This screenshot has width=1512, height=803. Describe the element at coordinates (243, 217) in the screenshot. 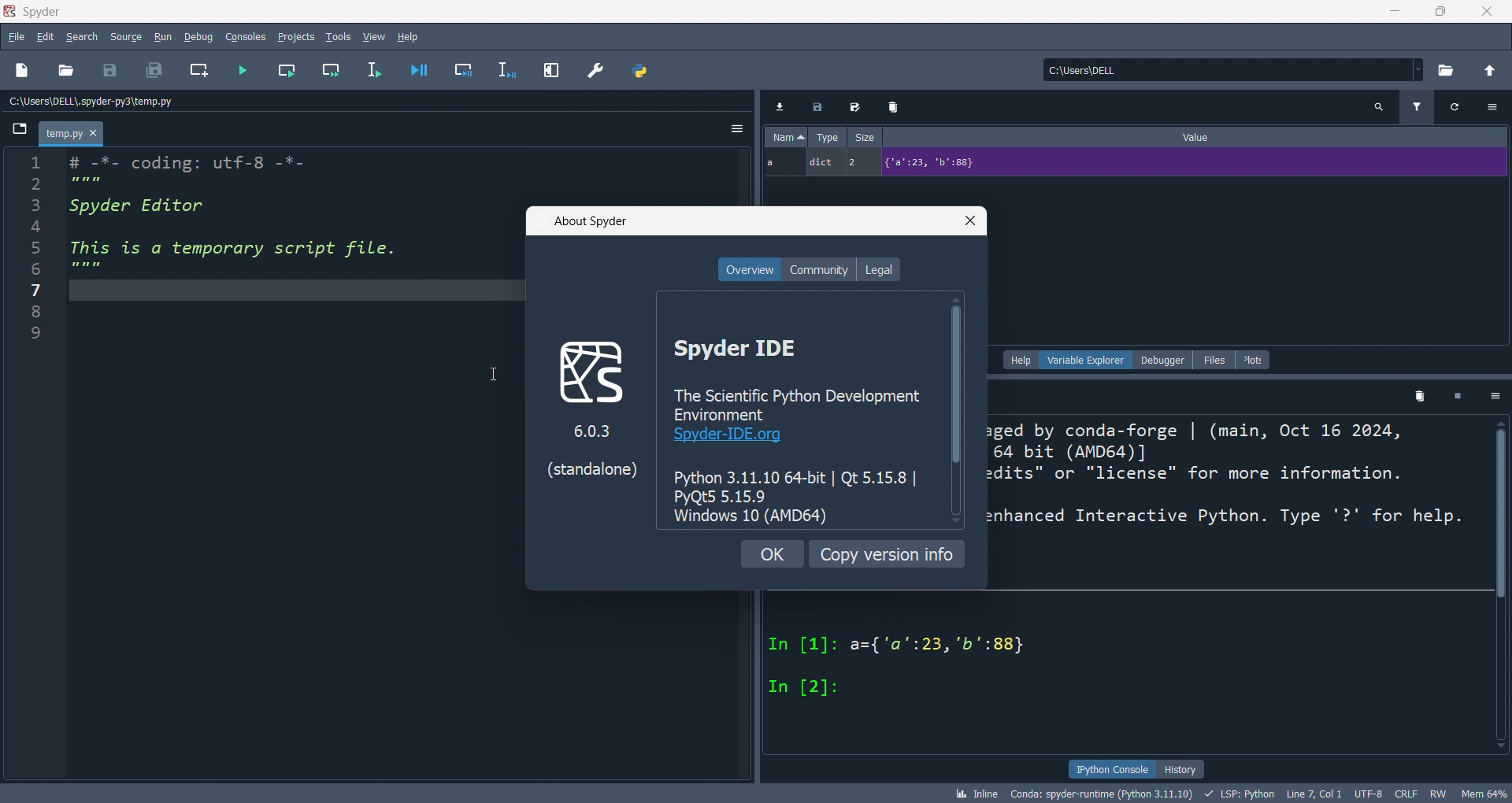

I see `coding: utf-8 -*-Spyder Editors This is a temporary script file.` at that location.